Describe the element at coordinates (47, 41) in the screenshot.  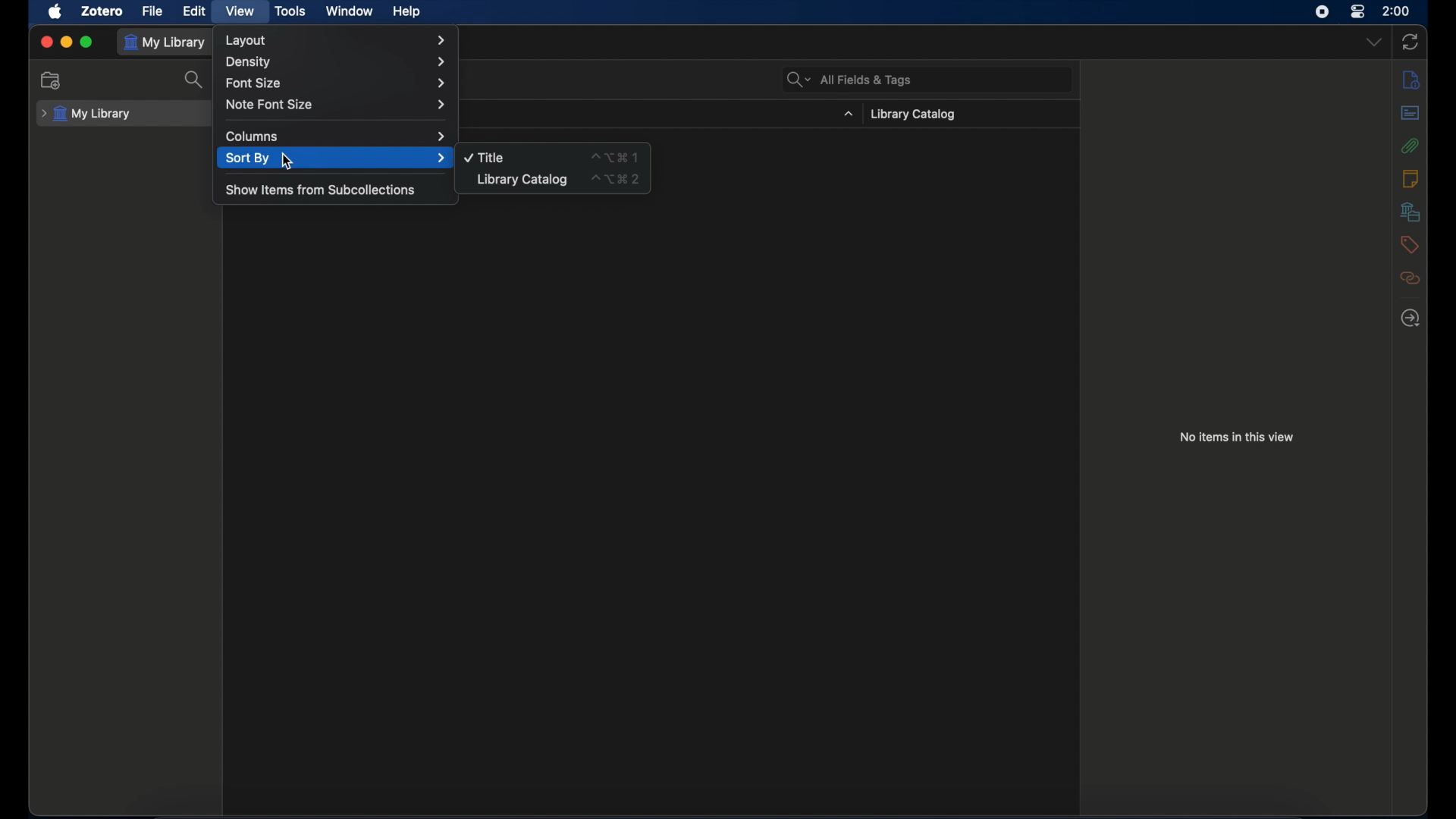
I see `close` at that location.